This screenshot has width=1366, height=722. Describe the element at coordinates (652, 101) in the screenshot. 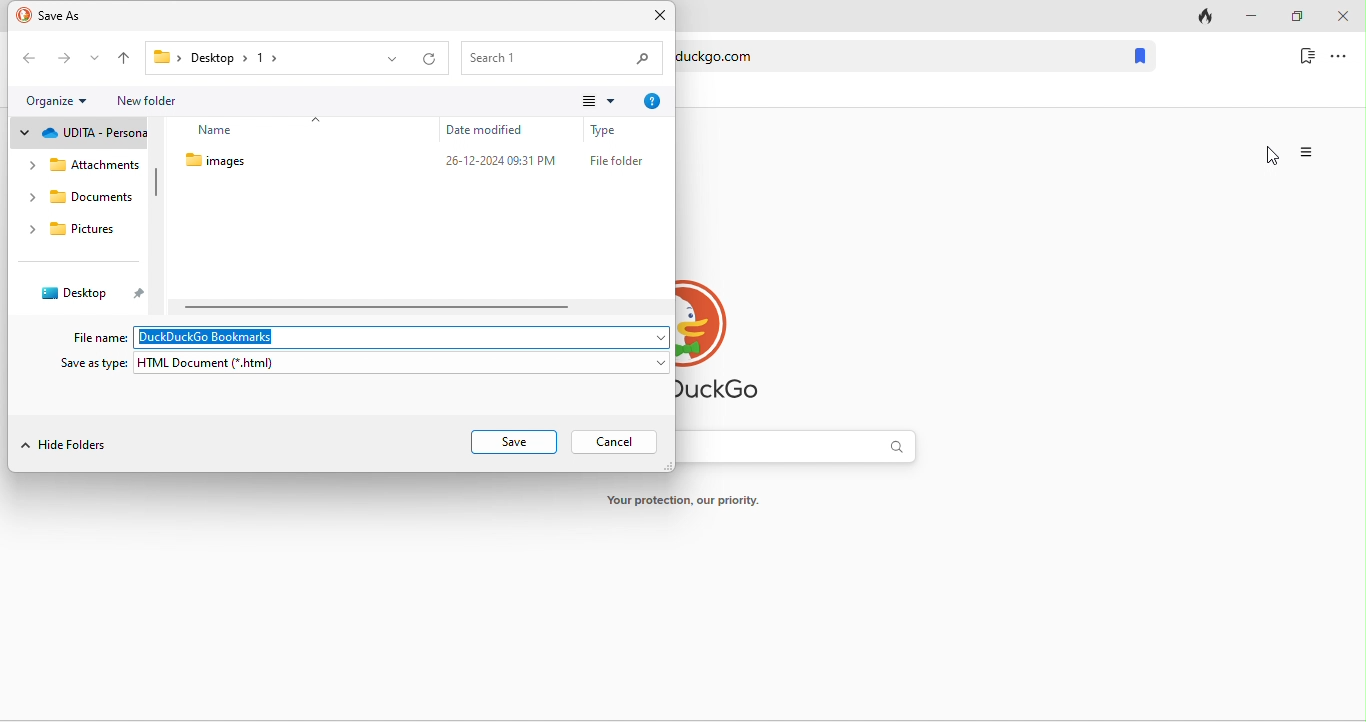

I see `help` at that location.